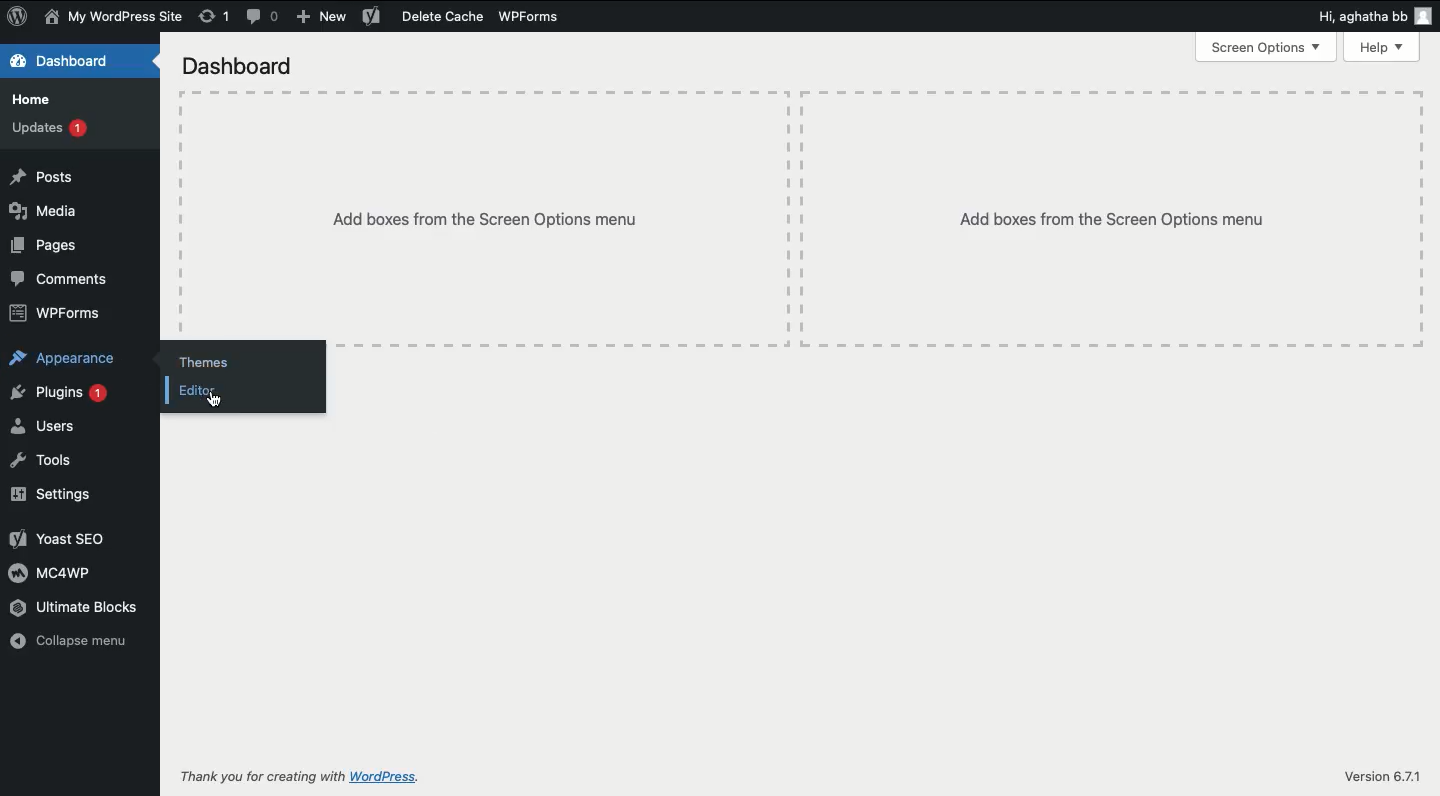  Describe the element at coordinates (1368, 18) in the screenshot. I see `Hi, aghatha bb ` at that location.